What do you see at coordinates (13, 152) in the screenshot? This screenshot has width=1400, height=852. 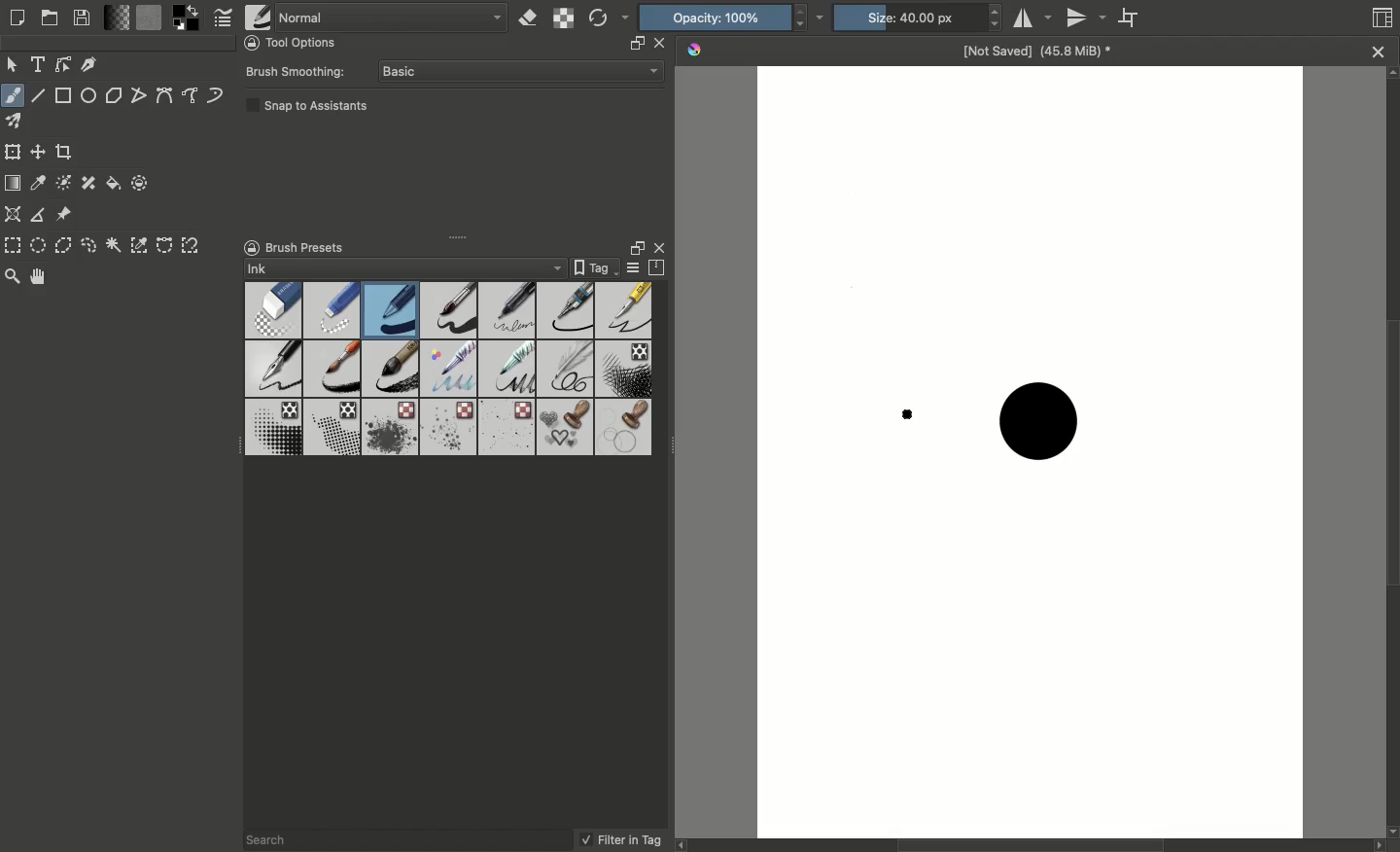 I see `Transform` at bounding box center [13, 152].